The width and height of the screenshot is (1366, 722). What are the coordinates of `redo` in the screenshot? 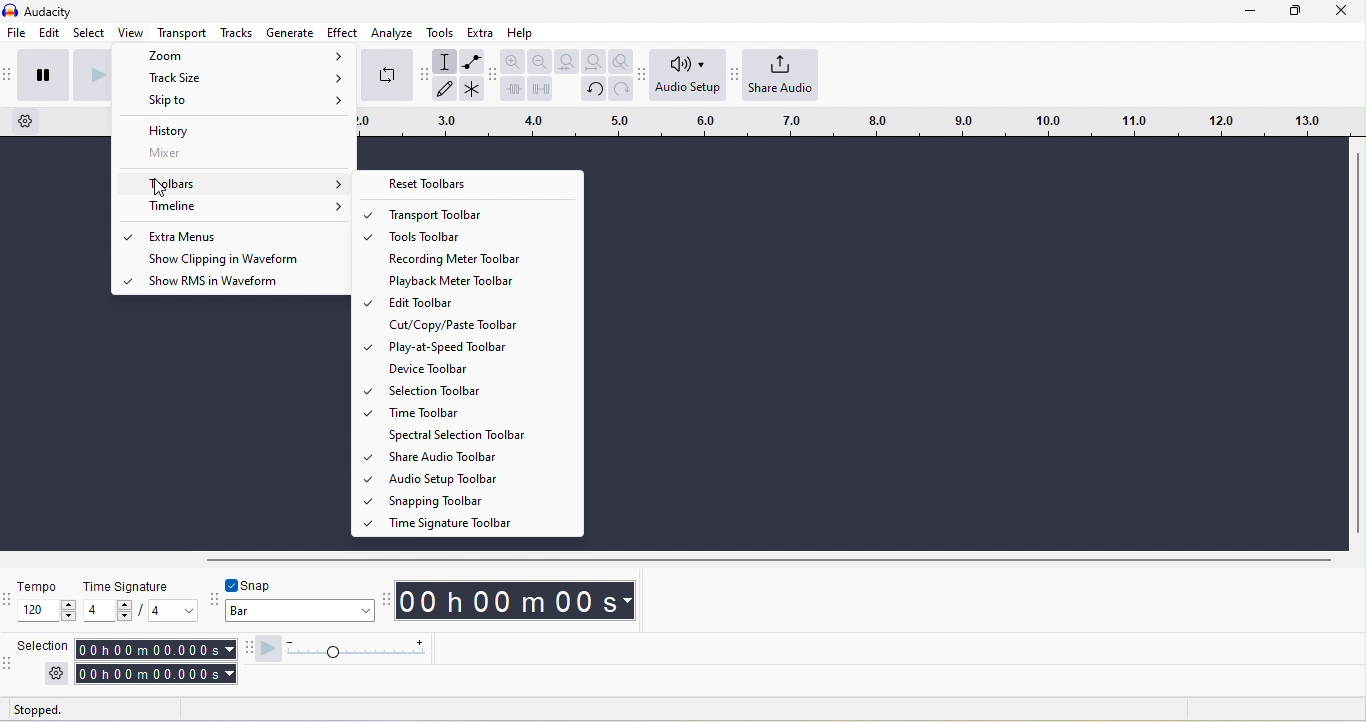 It's located at (621, 89).